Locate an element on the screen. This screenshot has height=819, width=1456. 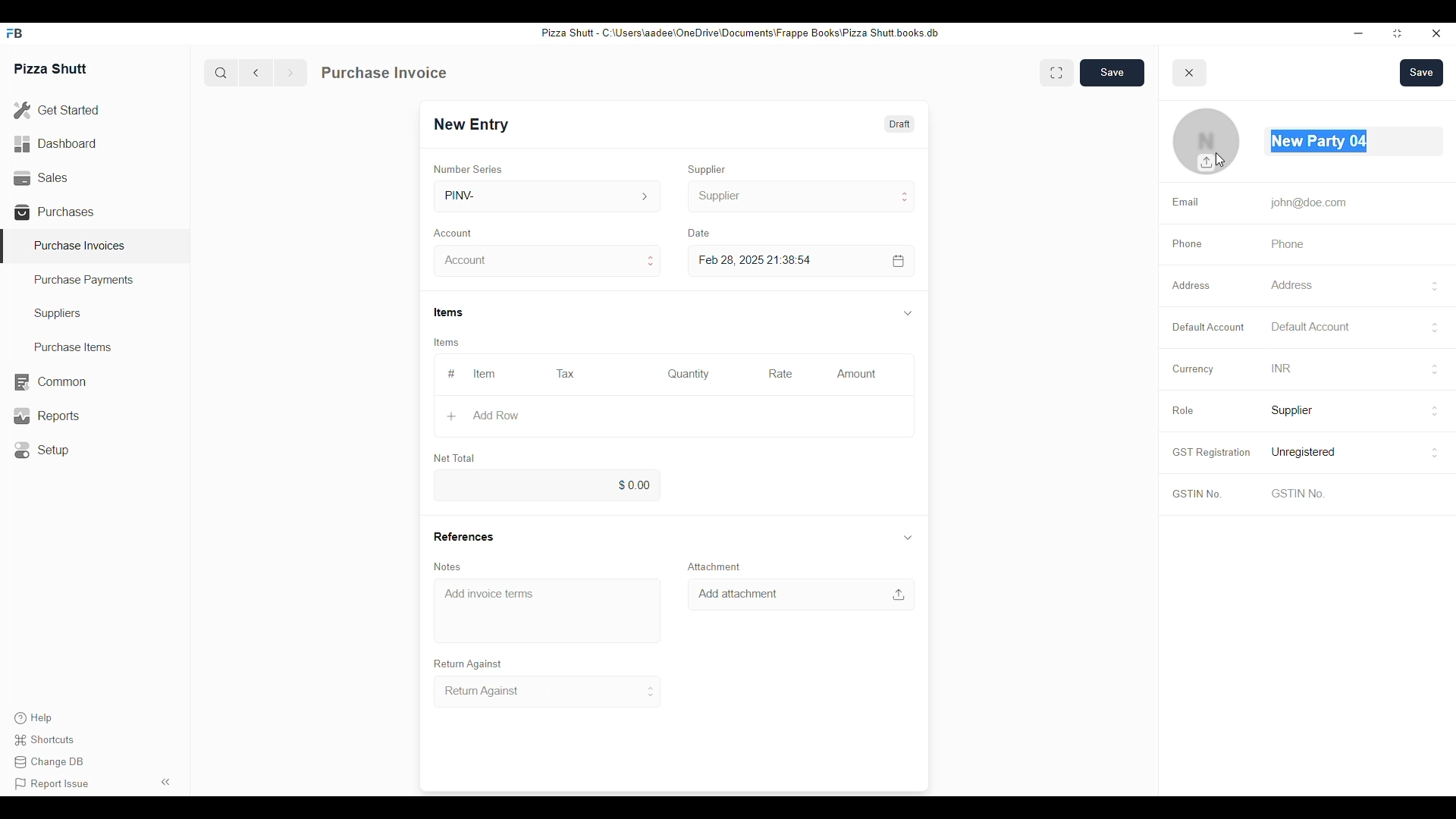
Item is located at coordinates (485, 374).